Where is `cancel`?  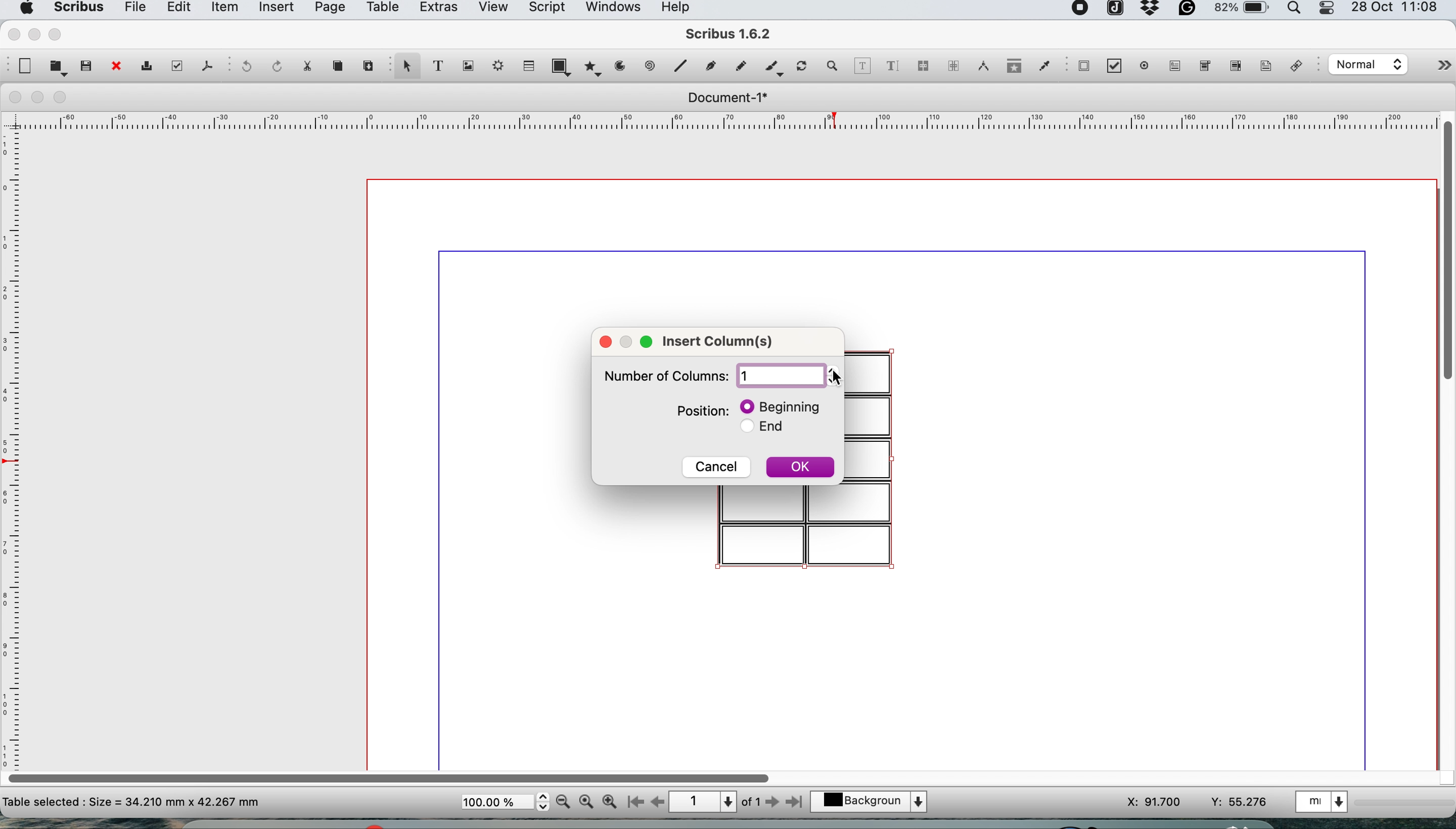
cancel is located at coordinates (716, 466).